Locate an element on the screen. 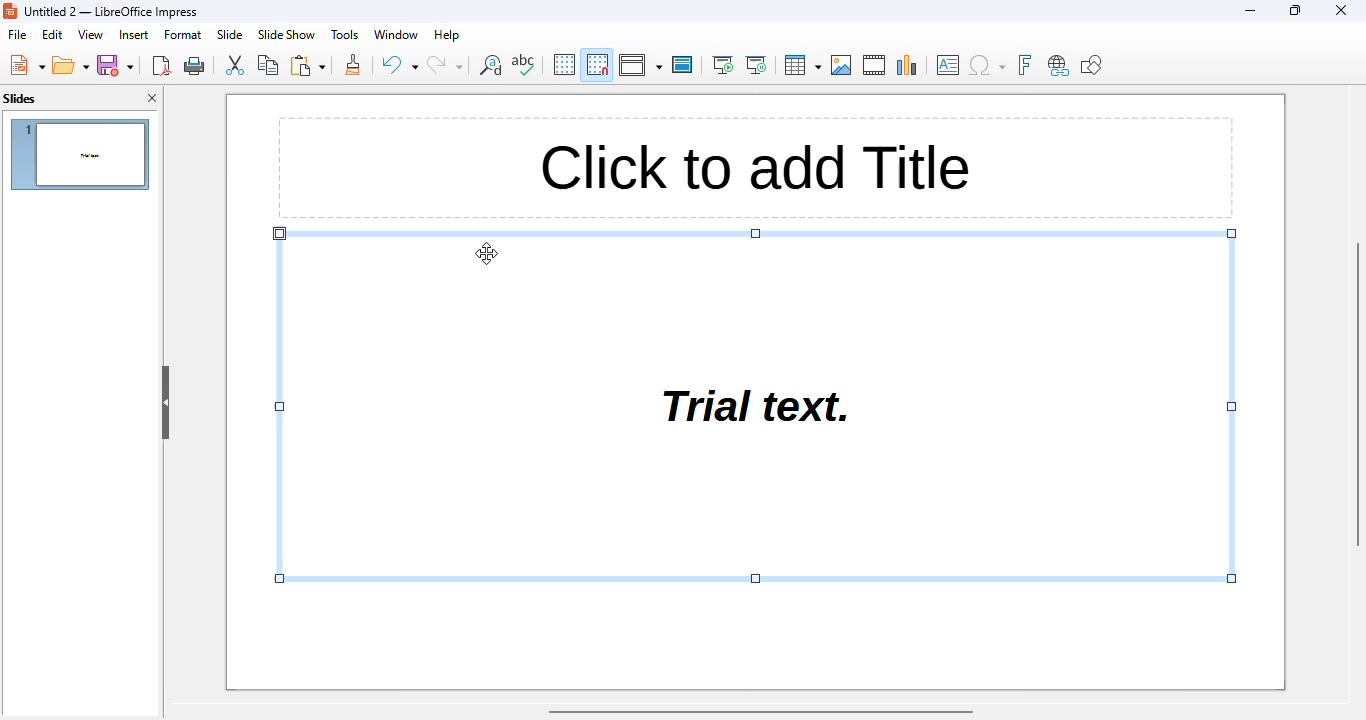 Image resolution: width=1366 pixels, height=720 pixels. insert special characters is located at coordinates (986, 65).